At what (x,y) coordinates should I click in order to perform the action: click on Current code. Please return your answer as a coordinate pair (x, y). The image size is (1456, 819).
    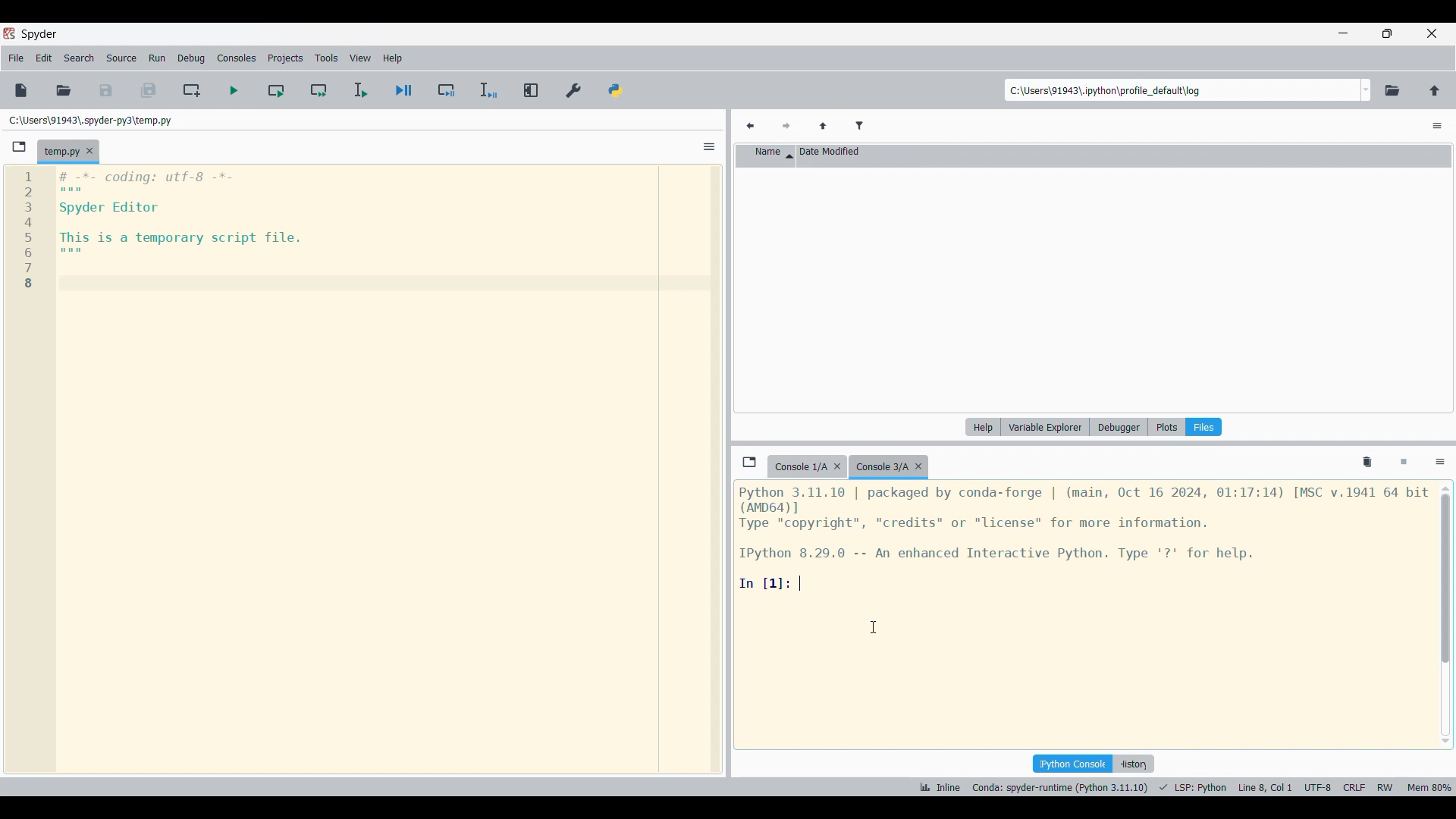
    Looking at the image, I should click on (156, 231).